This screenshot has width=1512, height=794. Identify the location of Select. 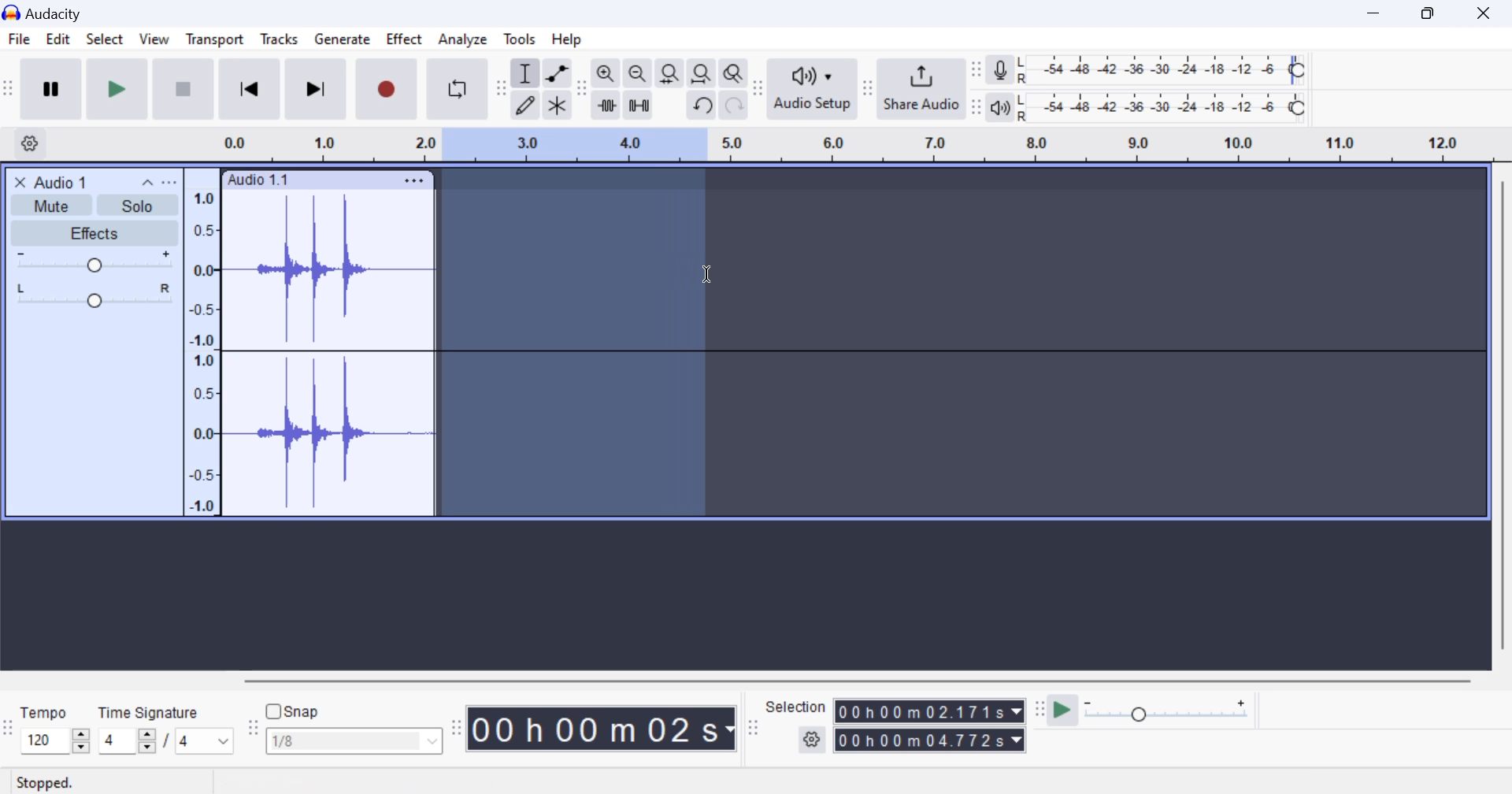
(104, 43).